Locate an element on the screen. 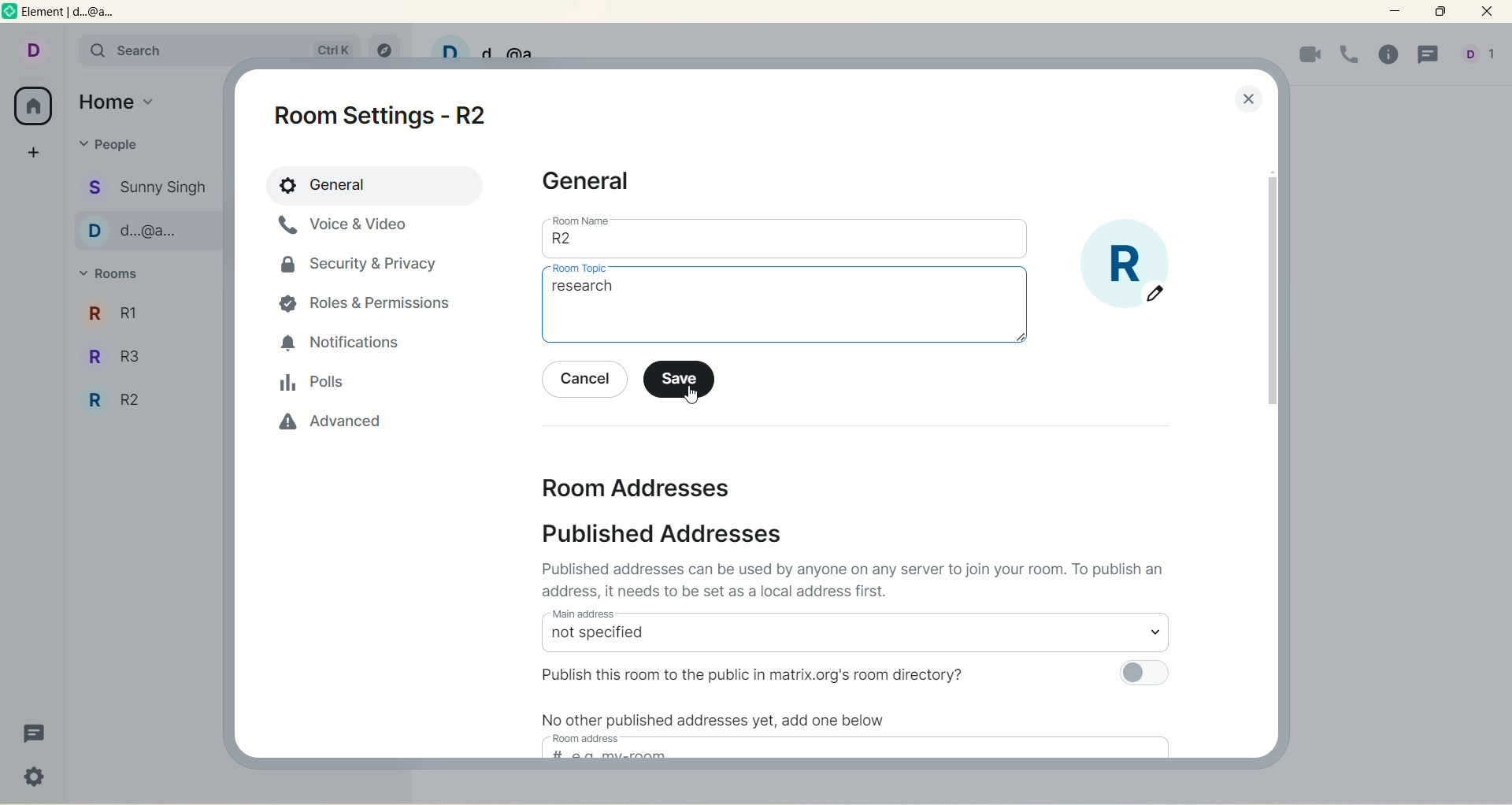 Image resolution: width=1512 pixels, height=805 pixels. polls is located at coordinates (313, 384).